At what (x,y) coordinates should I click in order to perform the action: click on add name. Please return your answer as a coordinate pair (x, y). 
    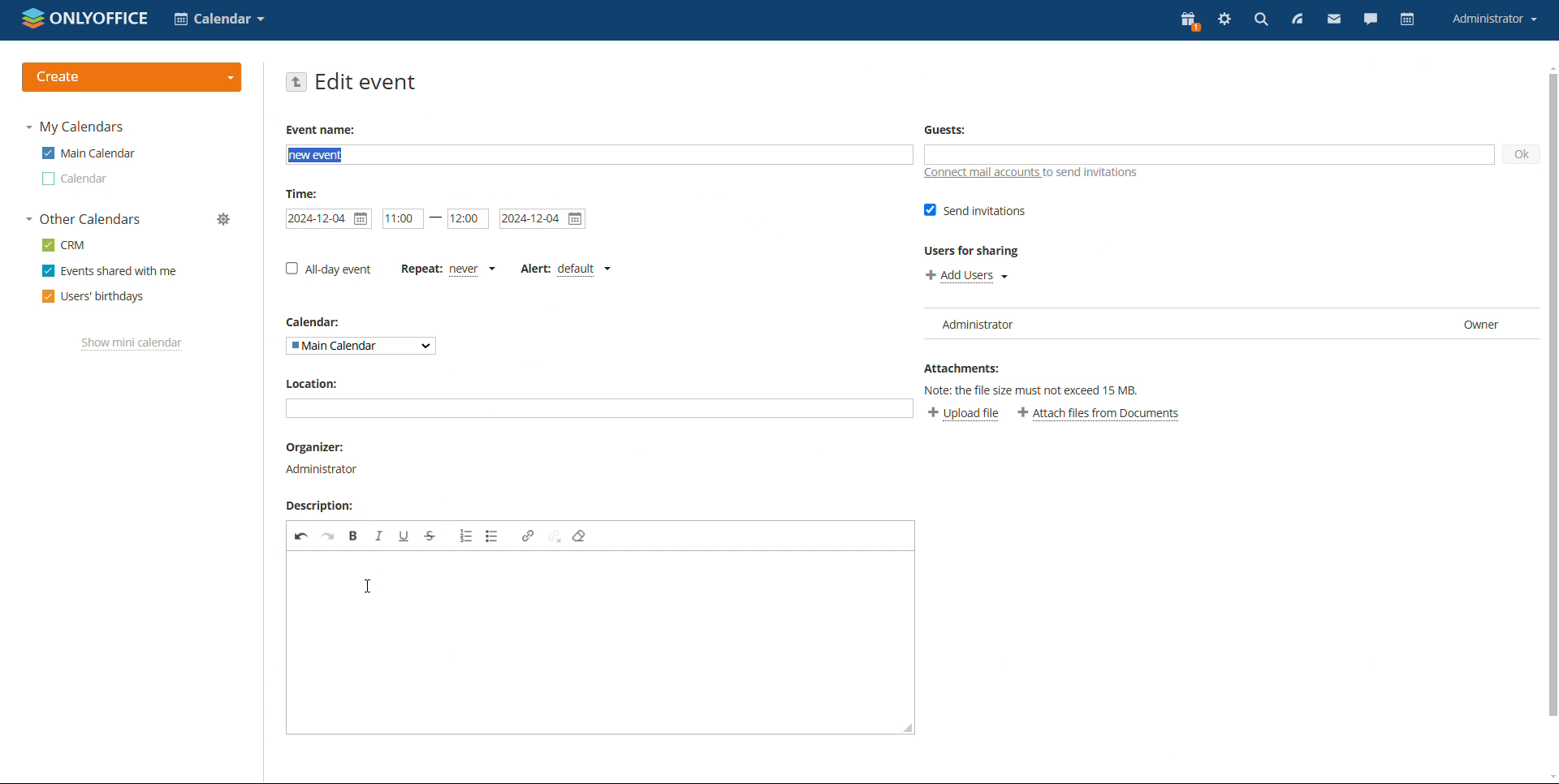
    Looking at the image, I should click on (599, 155).